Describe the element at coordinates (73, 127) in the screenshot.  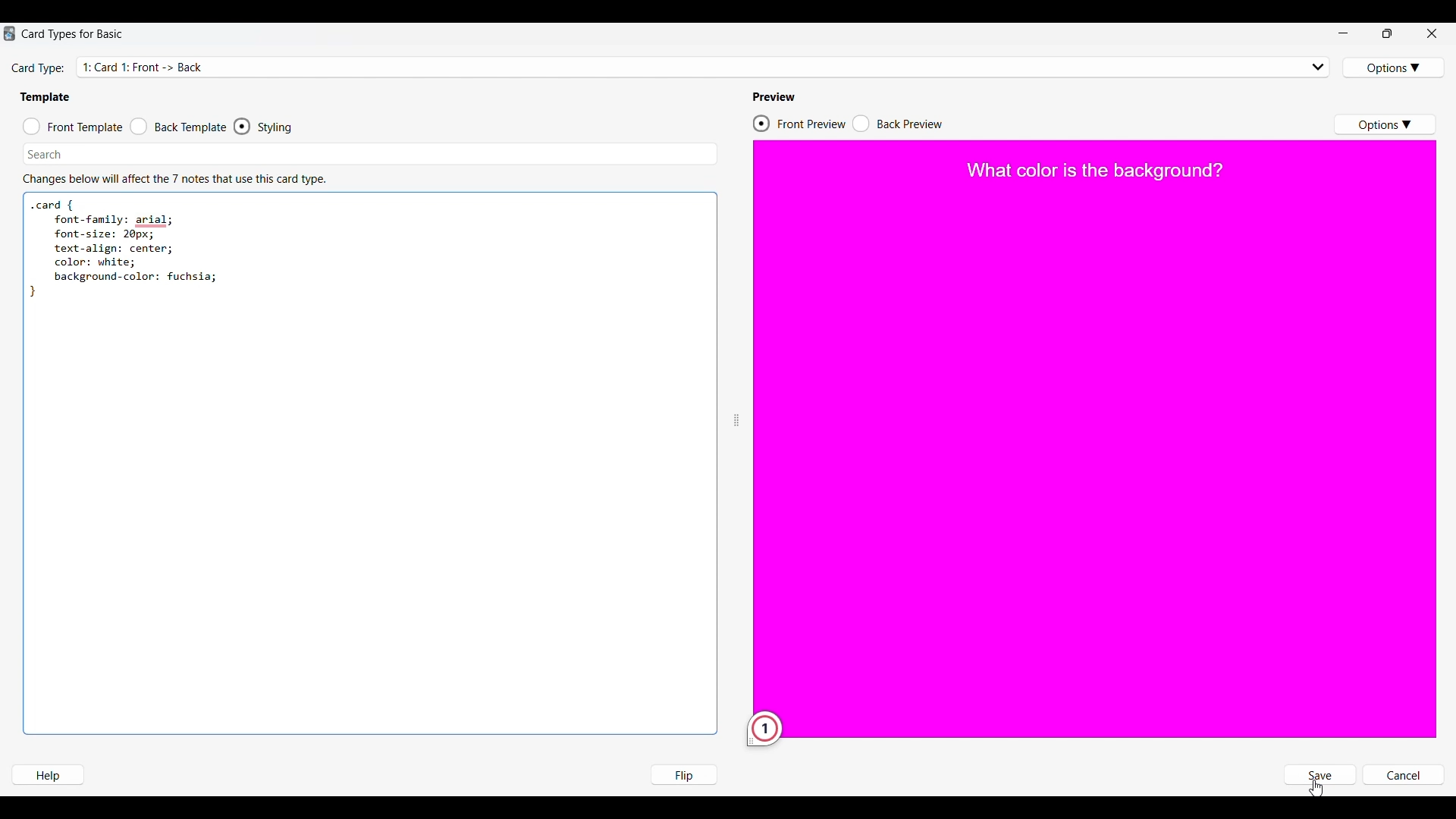
I see `Front template` at that location.